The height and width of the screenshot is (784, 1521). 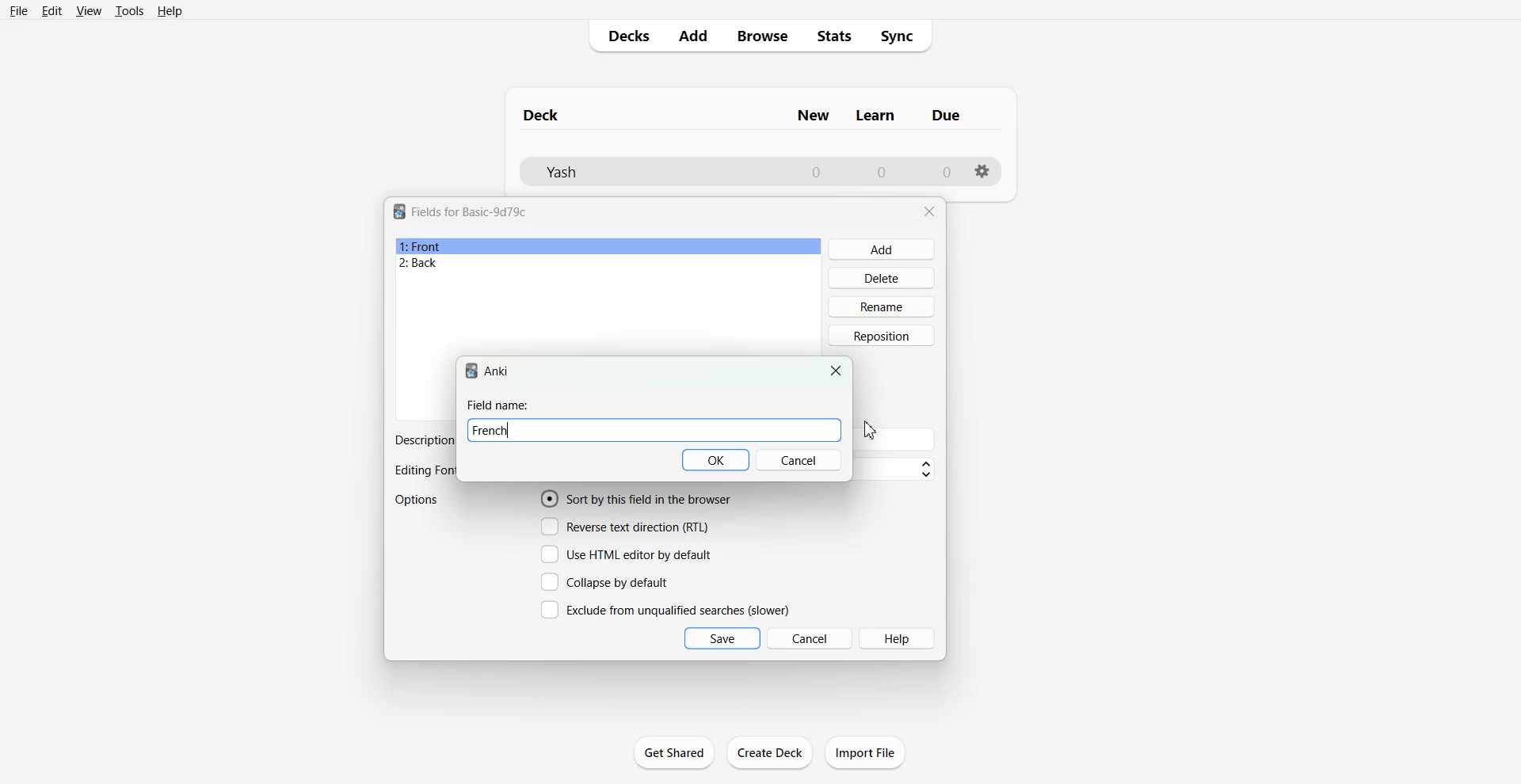 I want to click on Software logo, so click(x=399, y=211).